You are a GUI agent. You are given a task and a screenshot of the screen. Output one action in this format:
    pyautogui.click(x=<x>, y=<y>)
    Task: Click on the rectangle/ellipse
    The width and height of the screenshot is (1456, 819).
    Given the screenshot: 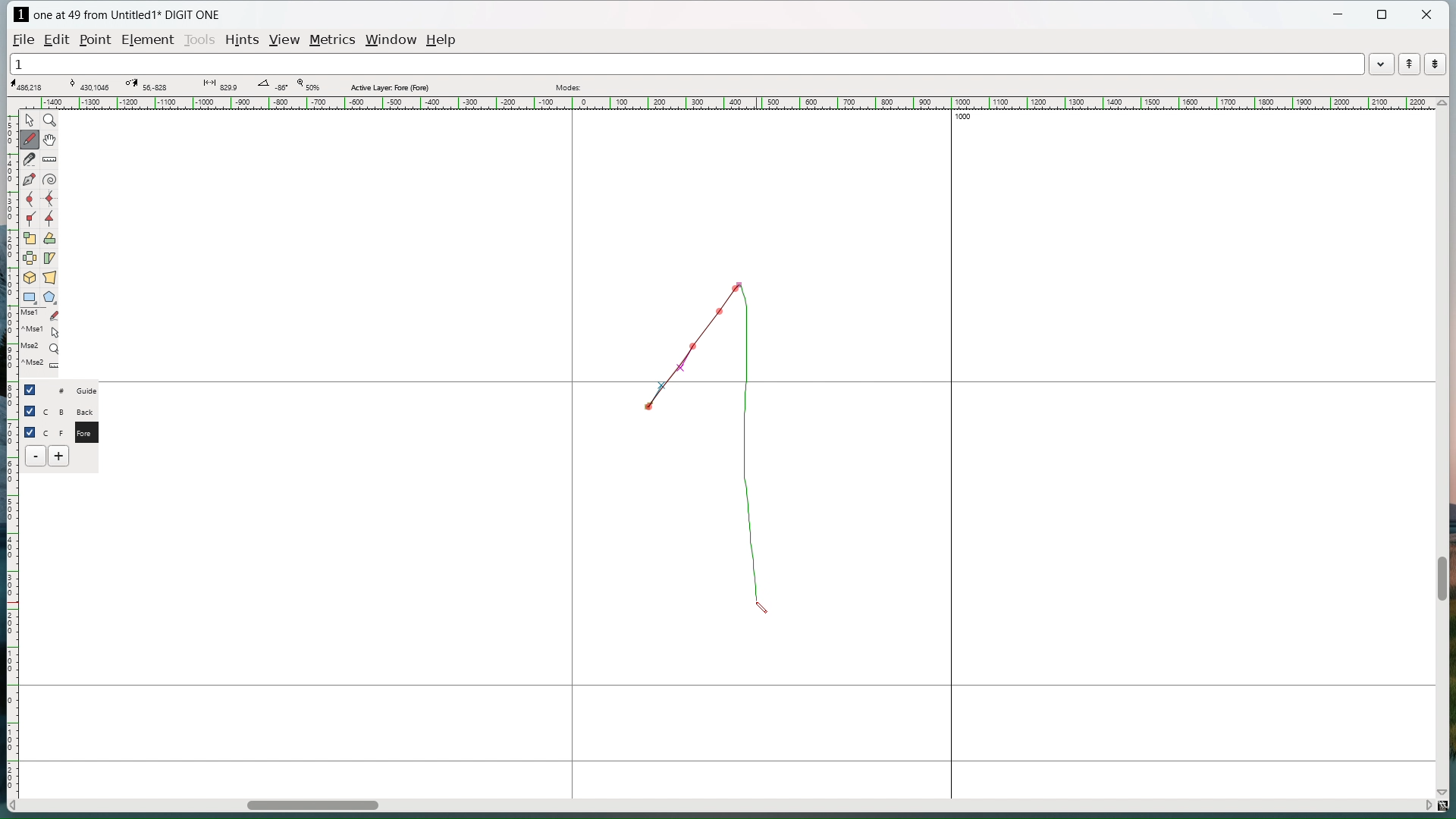 What is the action you would take?
    pyautogui.click(x=30, y=297)
    